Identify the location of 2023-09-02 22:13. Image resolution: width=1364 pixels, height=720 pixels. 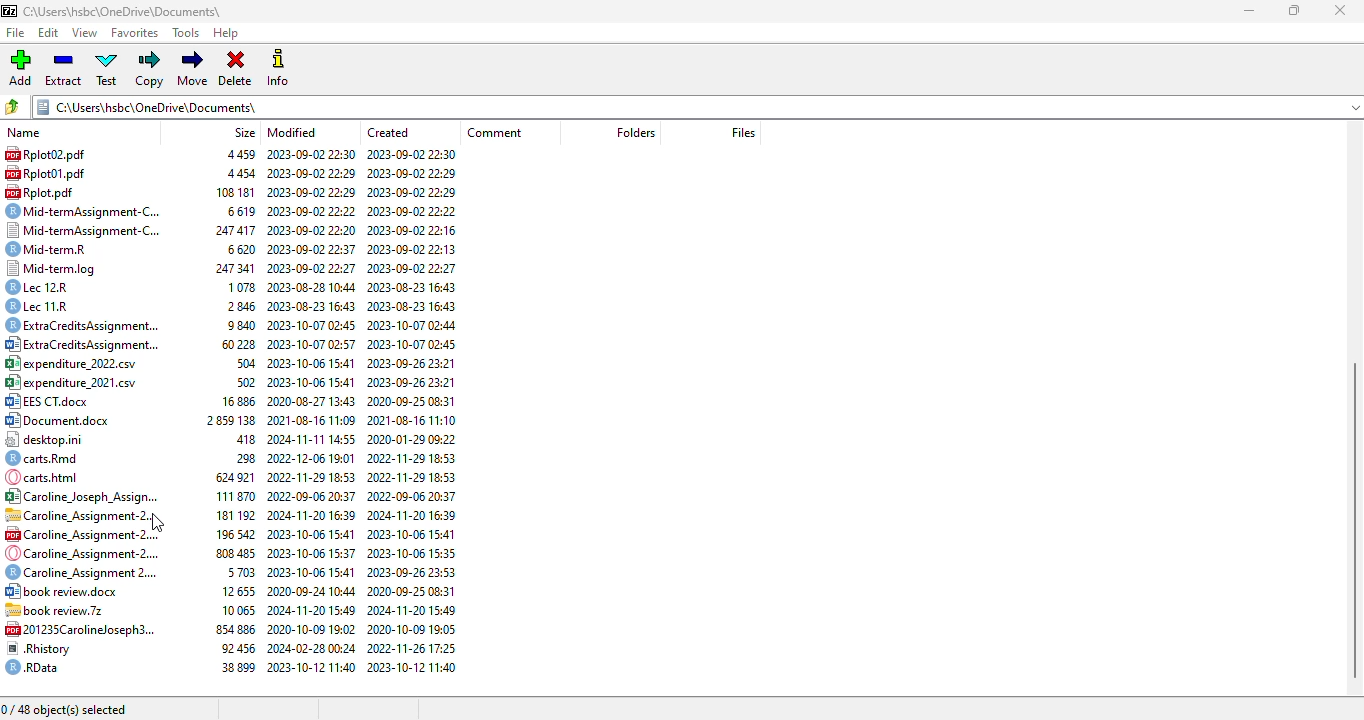
(412, 248).